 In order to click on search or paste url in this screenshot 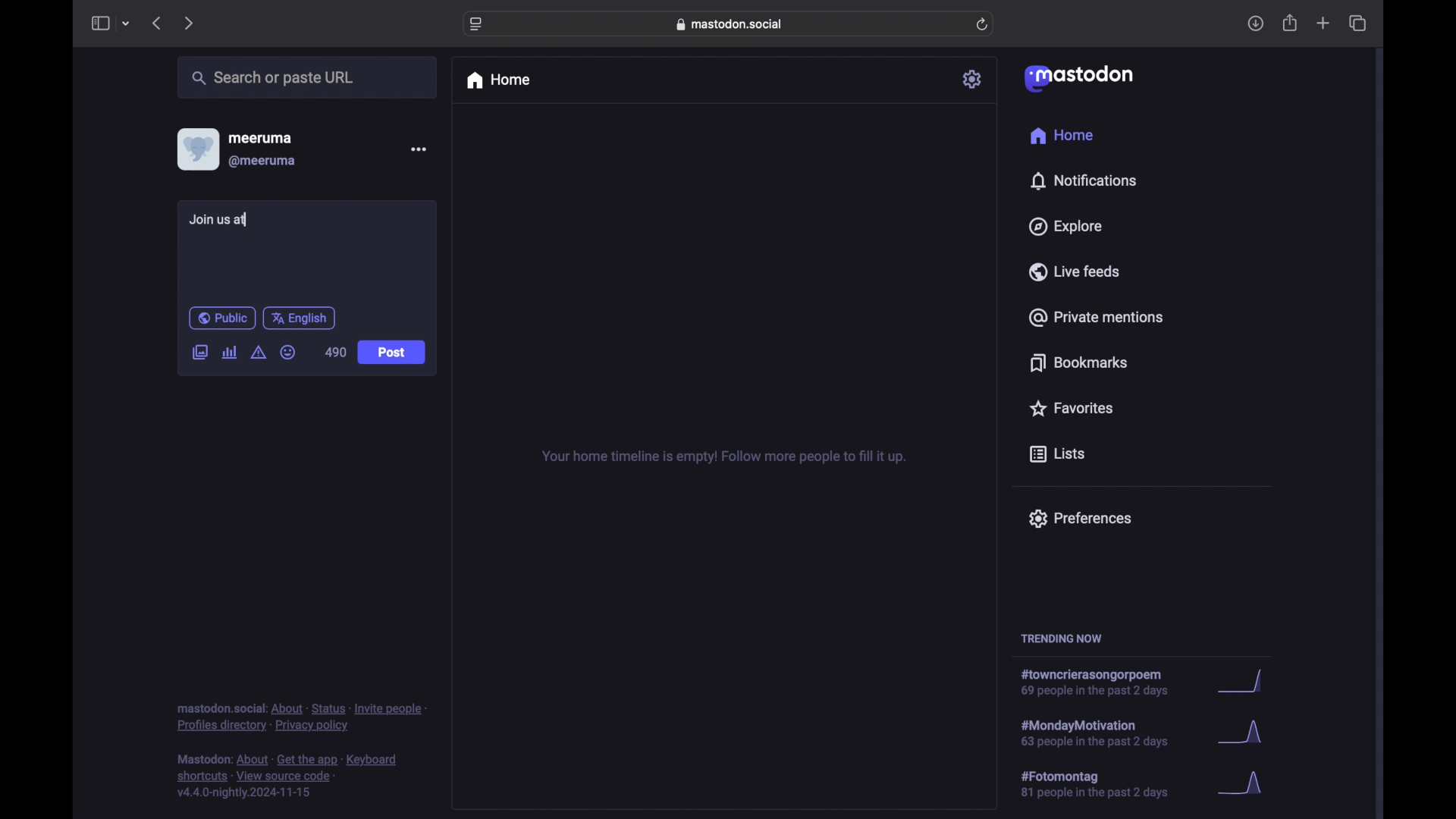, I will do `click(272, 78)`.